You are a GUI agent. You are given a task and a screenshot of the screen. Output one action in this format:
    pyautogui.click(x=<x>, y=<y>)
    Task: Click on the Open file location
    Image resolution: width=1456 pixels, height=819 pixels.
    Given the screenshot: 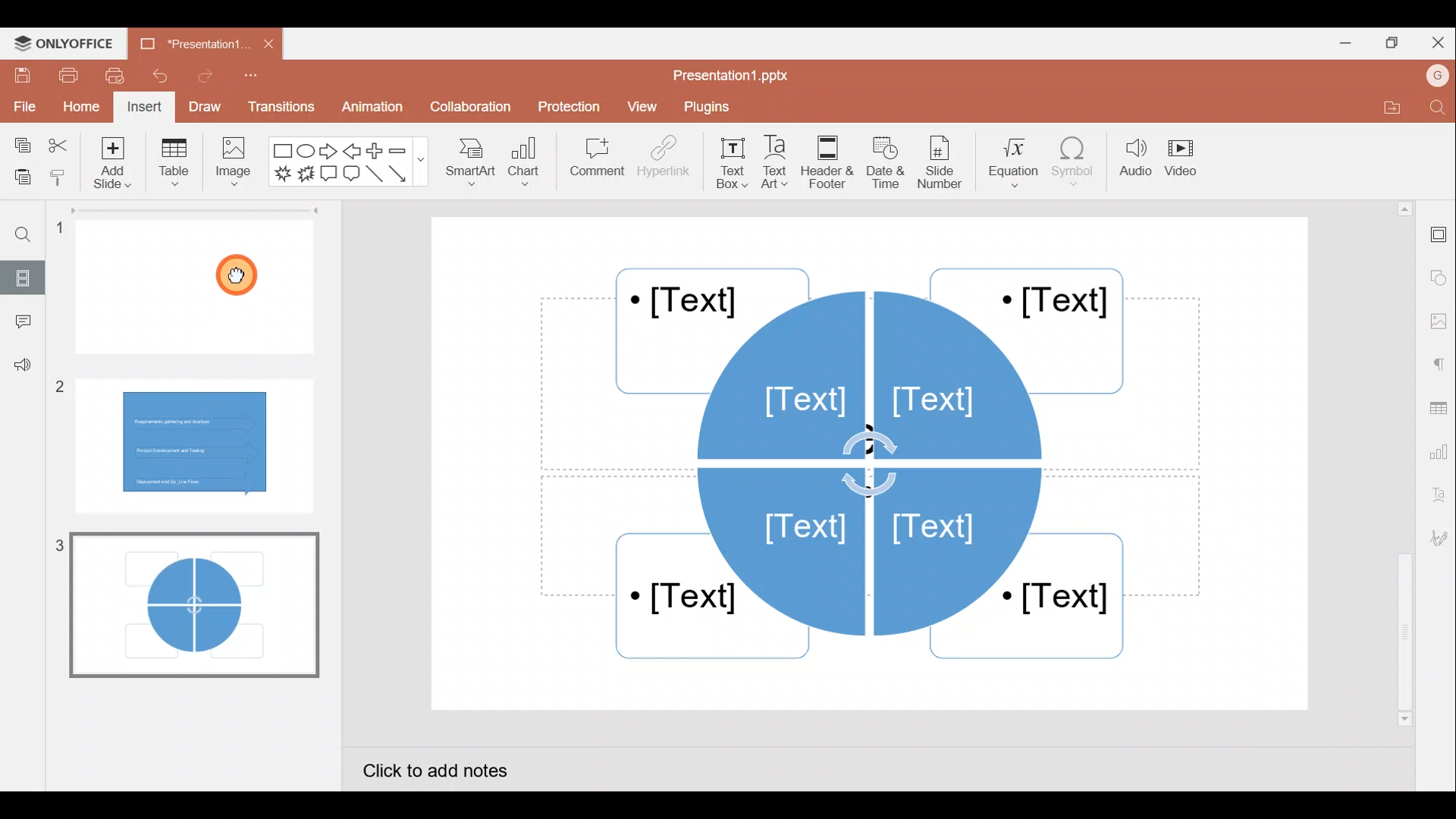 What is the action you would take?
    pyautogui.click(x=1382, y=107)
    